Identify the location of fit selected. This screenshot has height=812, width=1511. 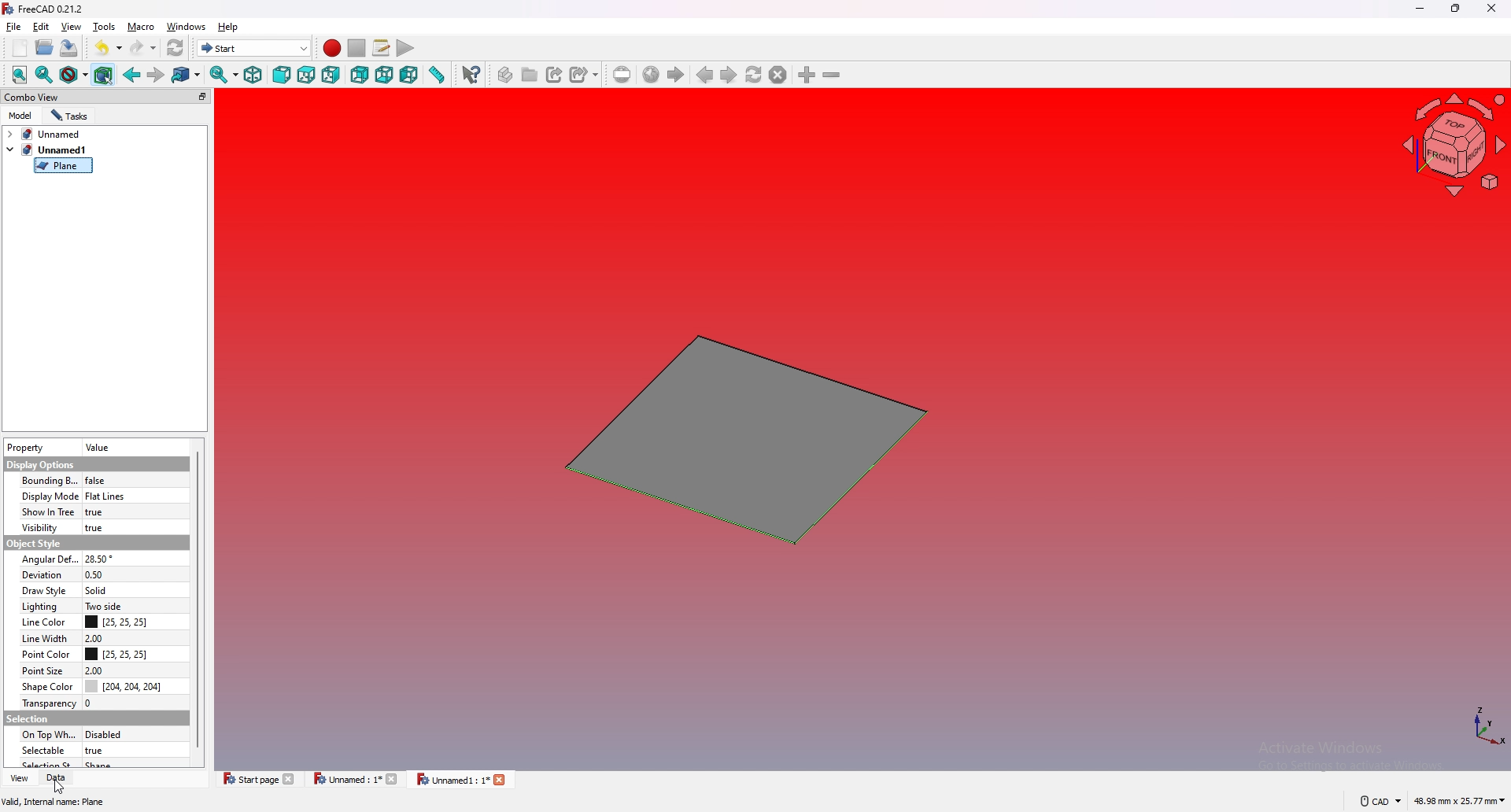
(44, 75).